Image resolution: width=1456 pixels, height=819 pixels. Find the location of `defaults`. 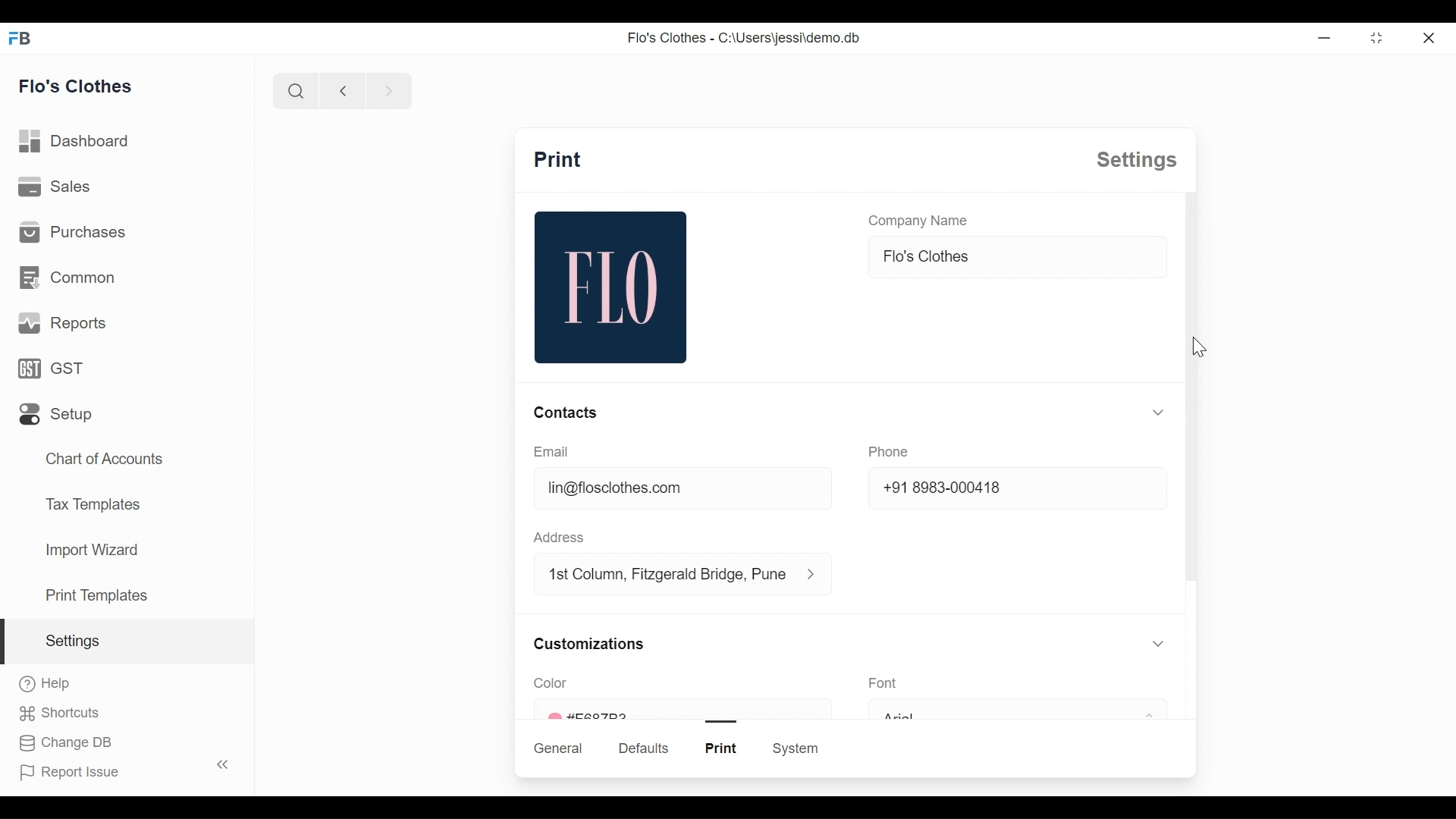

defaults is located at coordinates (645, 748).